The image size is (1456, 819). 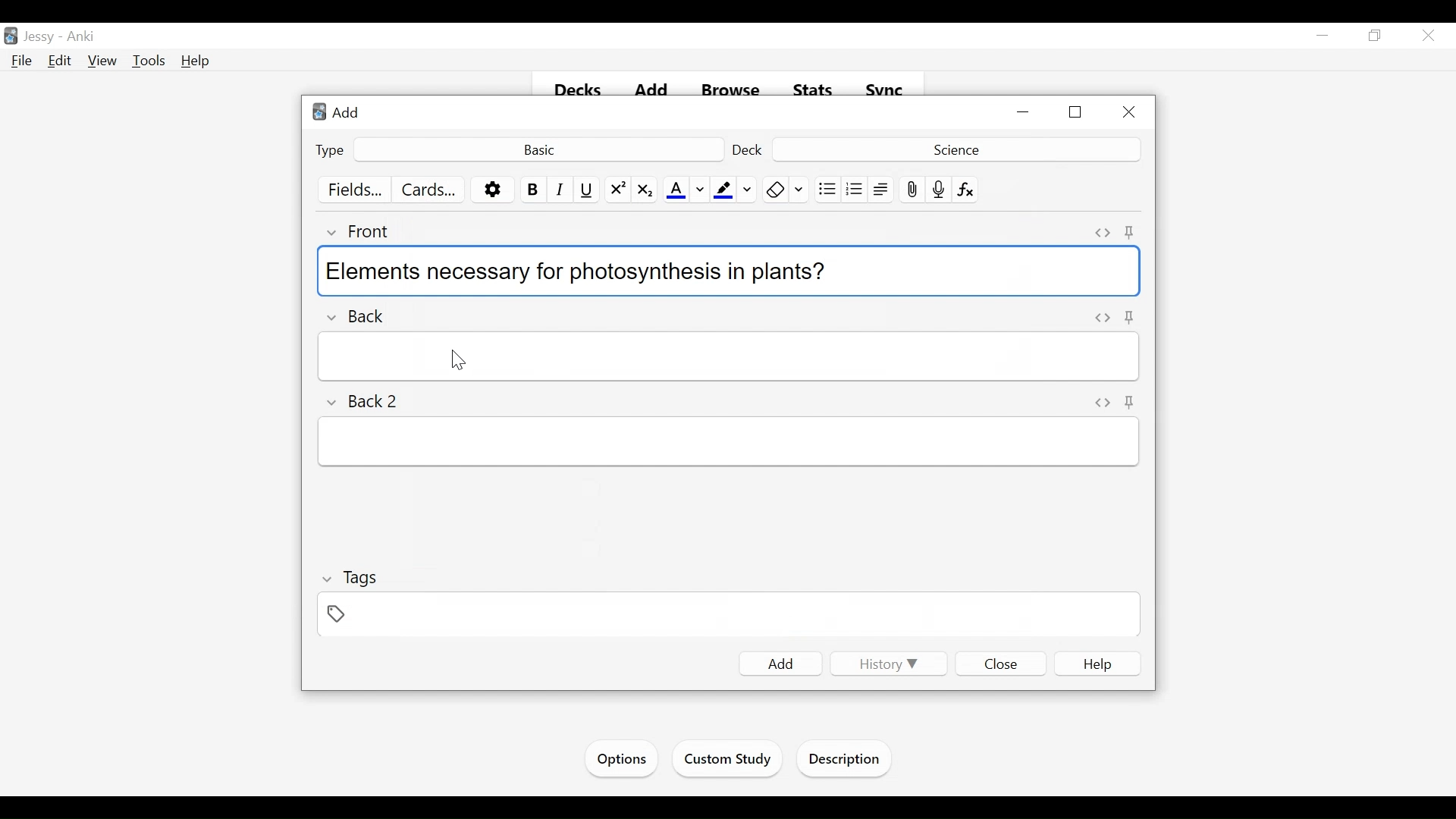 What do you see at coordinates (954, 149) in the screenshot?
I see `Deck` at bounding box center [954, 149].